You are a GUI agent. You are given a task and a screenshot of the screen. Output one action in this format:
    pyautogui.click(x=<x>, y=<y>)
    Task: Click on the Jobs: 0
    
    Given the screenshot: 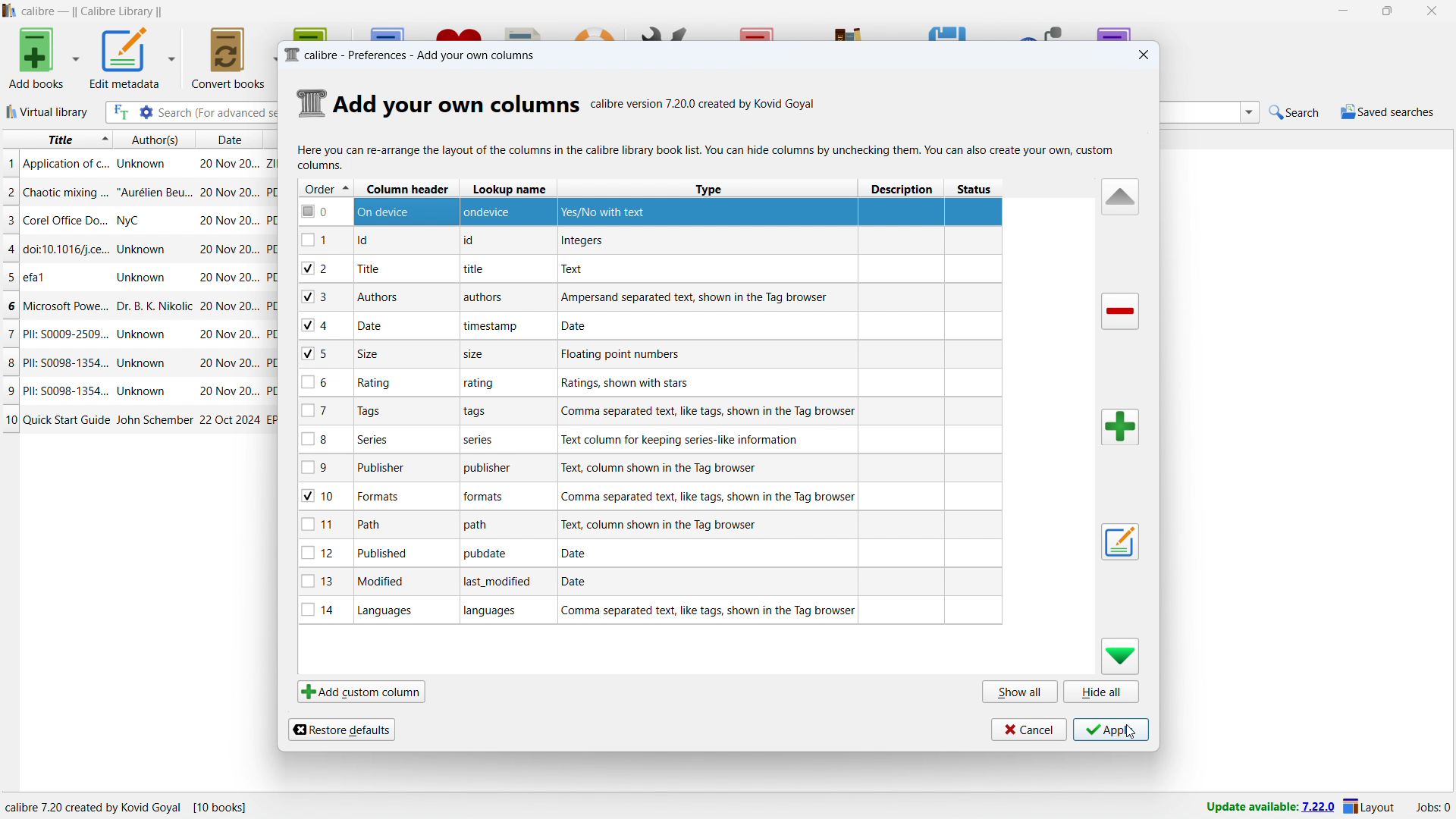 What is the action you would take?
    pyautogui.click(x=1432, y=806)
    